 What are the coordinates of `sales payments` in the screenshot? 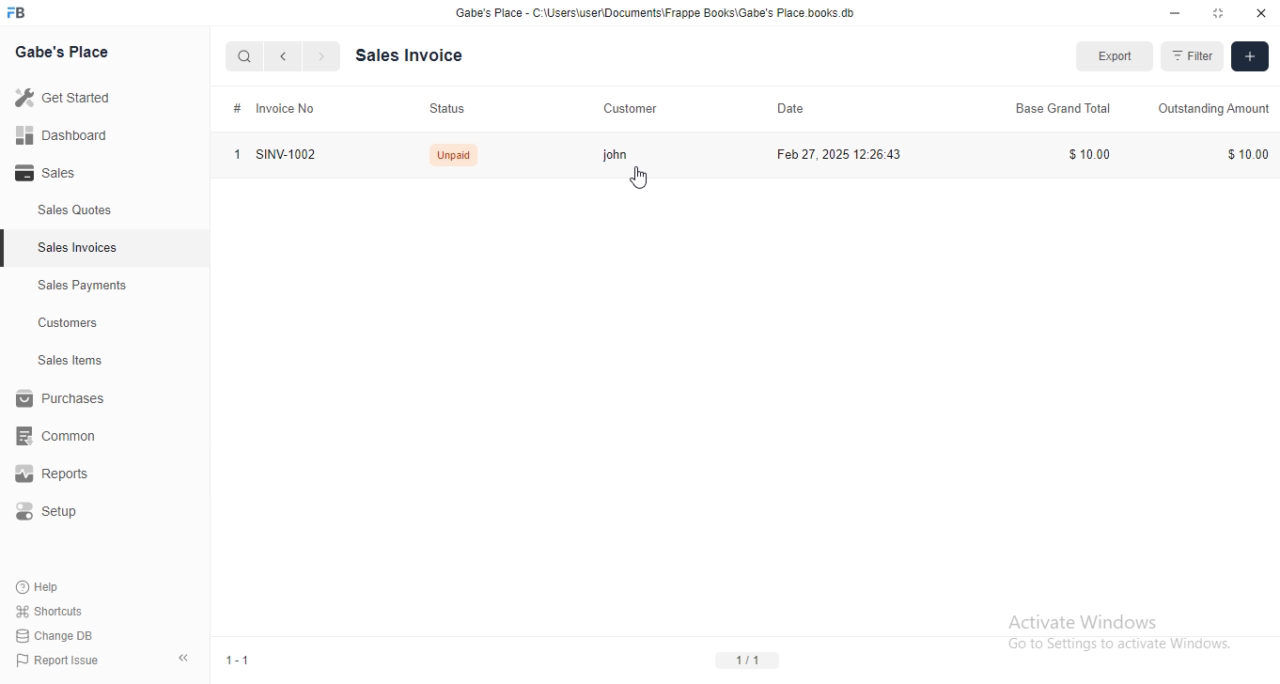 It's located at (82, 285).